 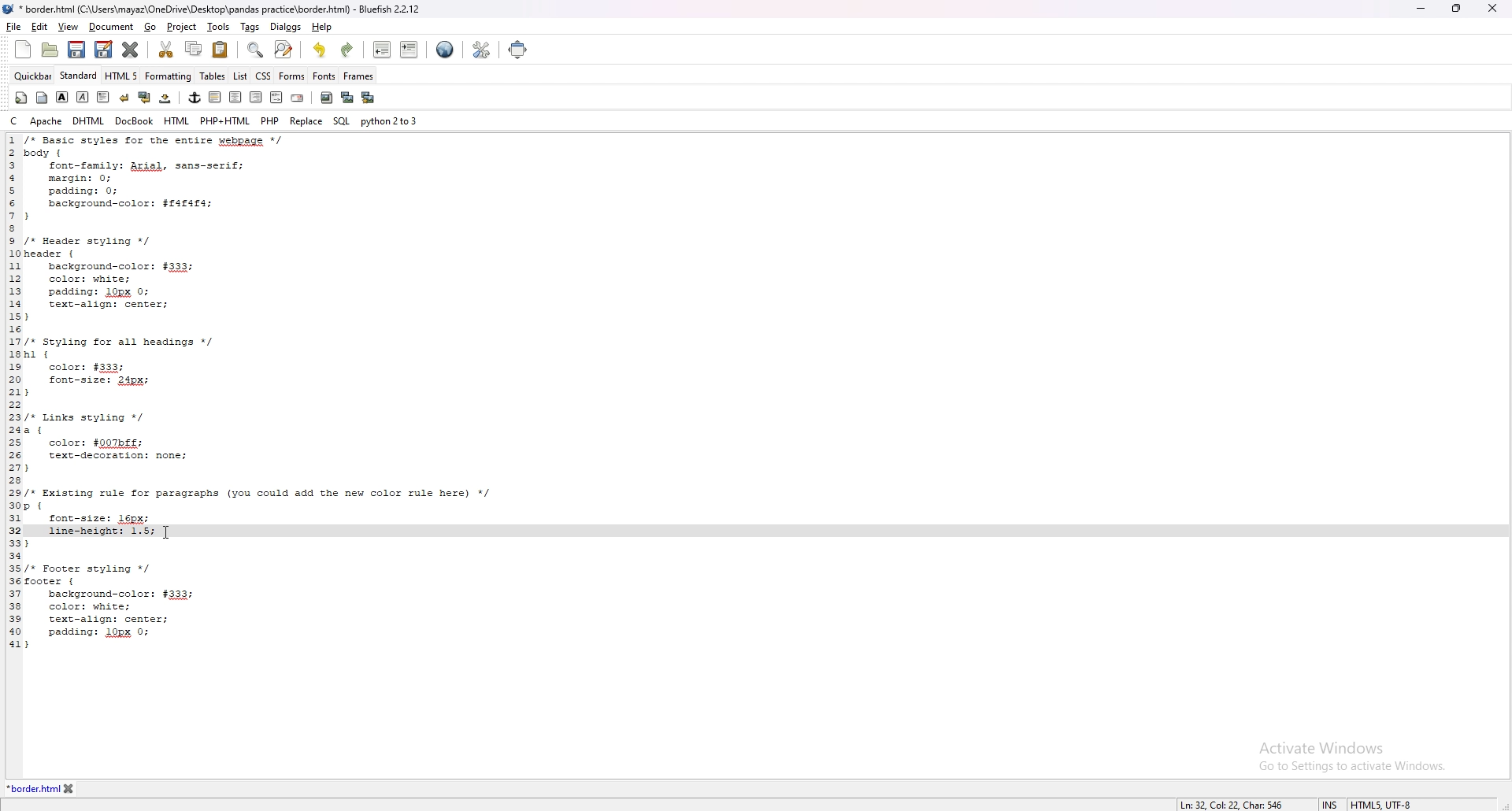 What do you see at coordinates (50, 50) in the screenshot?
I see `open` at bounding box center [50, 50].